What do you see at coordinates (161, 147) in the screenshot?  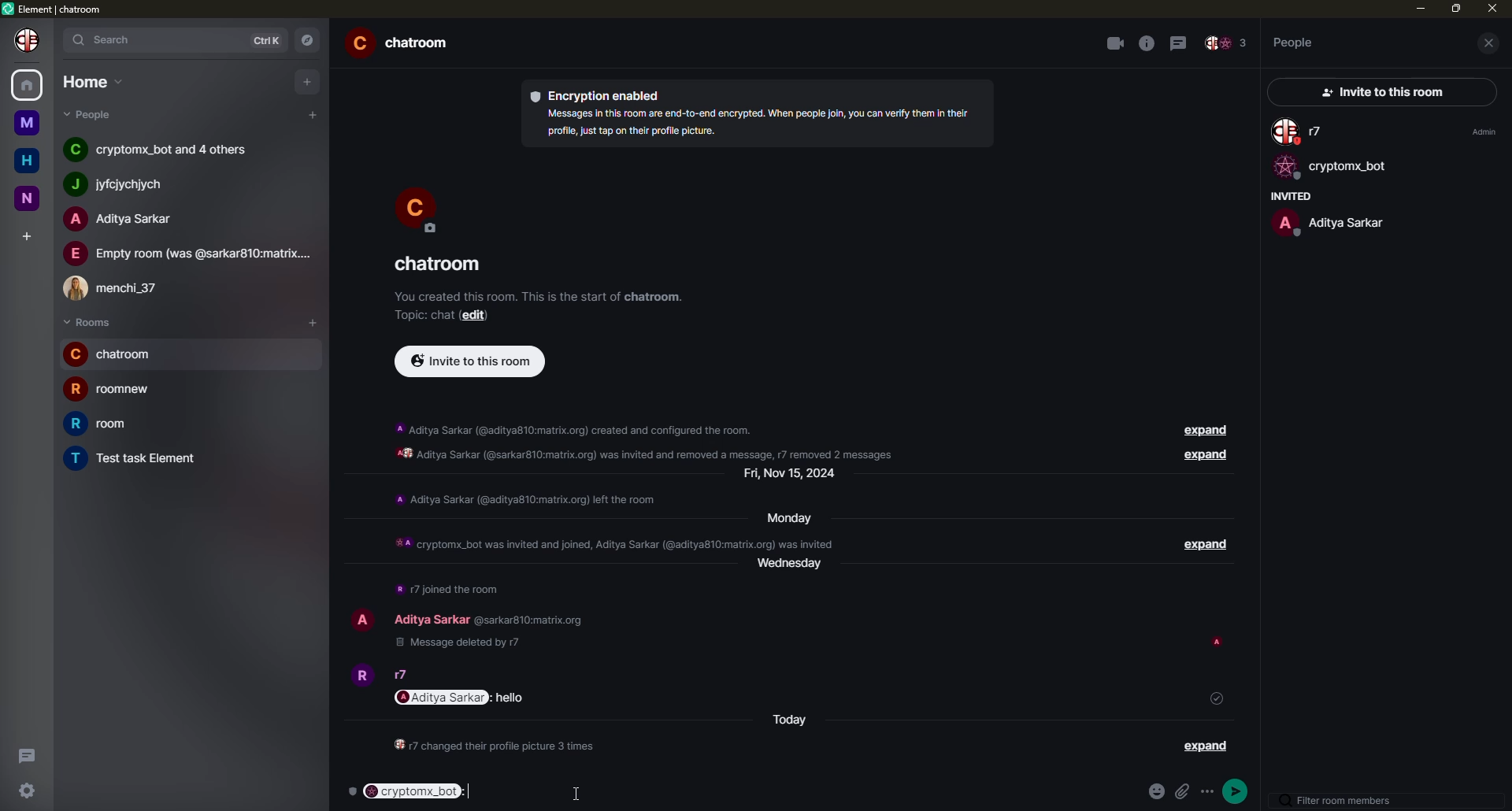 I see `people` at bounding box center [161, 147].